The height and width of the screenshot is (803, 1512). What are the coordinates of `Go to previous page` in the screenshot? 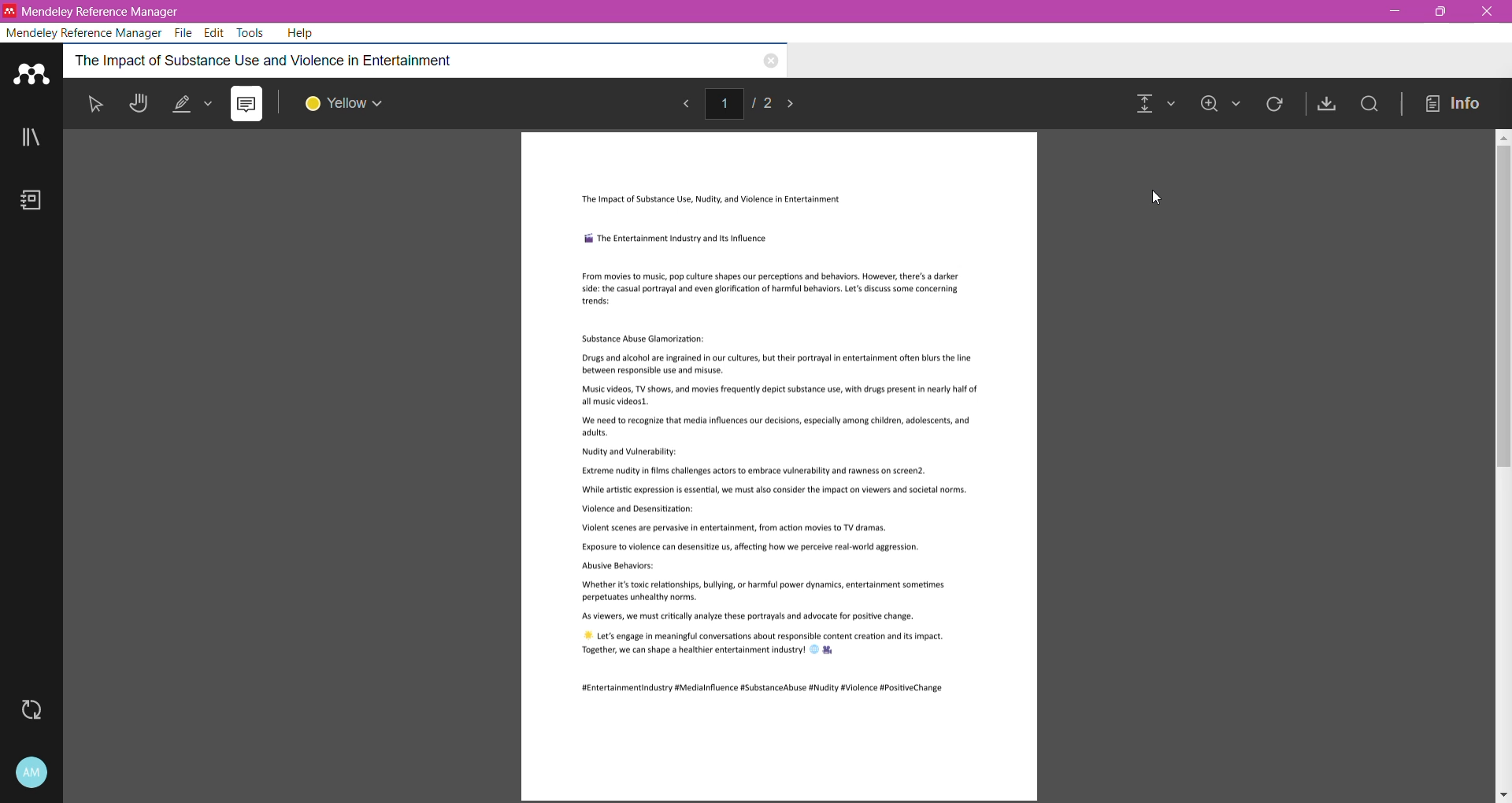 It's located at (691, 104).